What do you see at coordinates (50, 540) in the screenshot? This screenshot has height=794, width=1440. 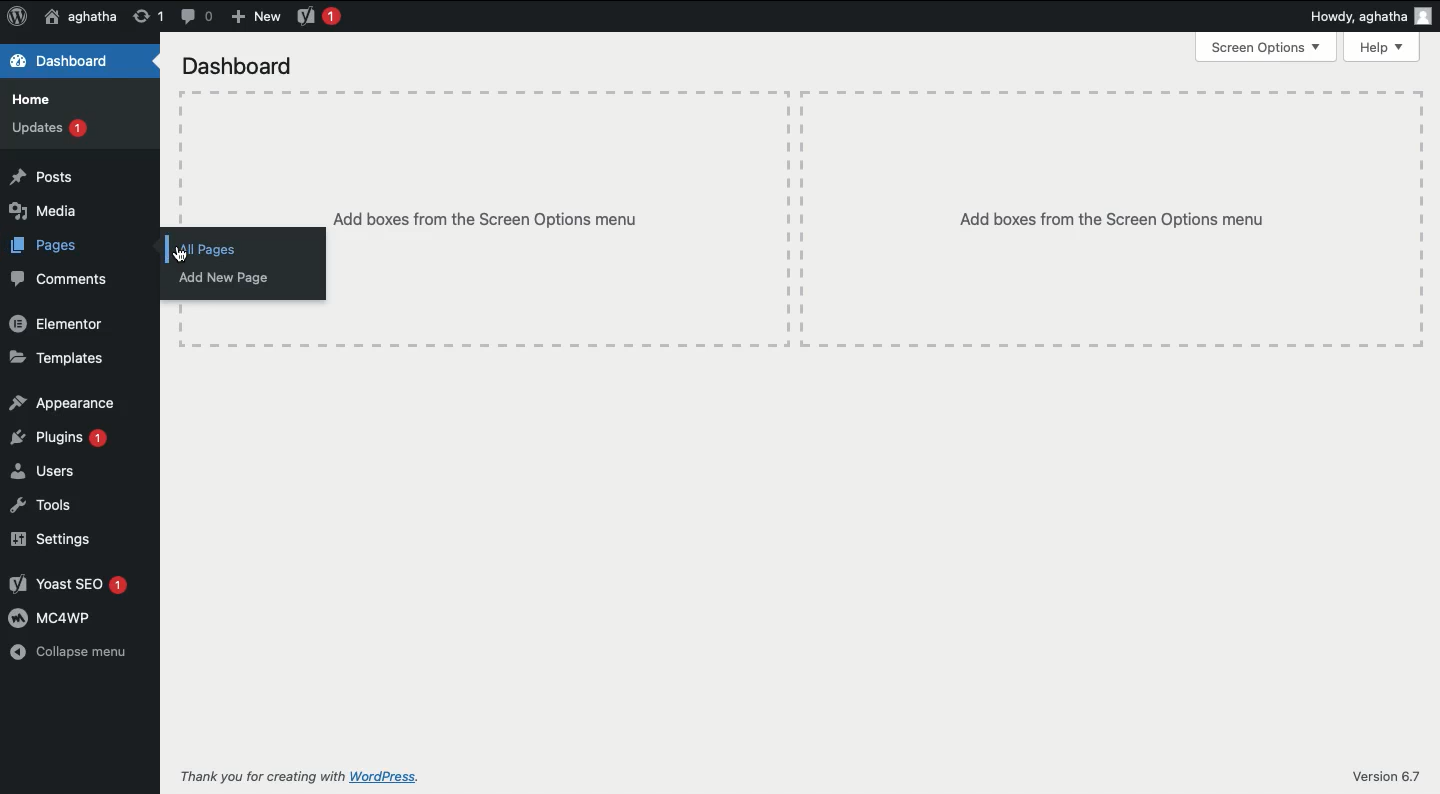 I see `Settings` at bounding box center [50, 540].